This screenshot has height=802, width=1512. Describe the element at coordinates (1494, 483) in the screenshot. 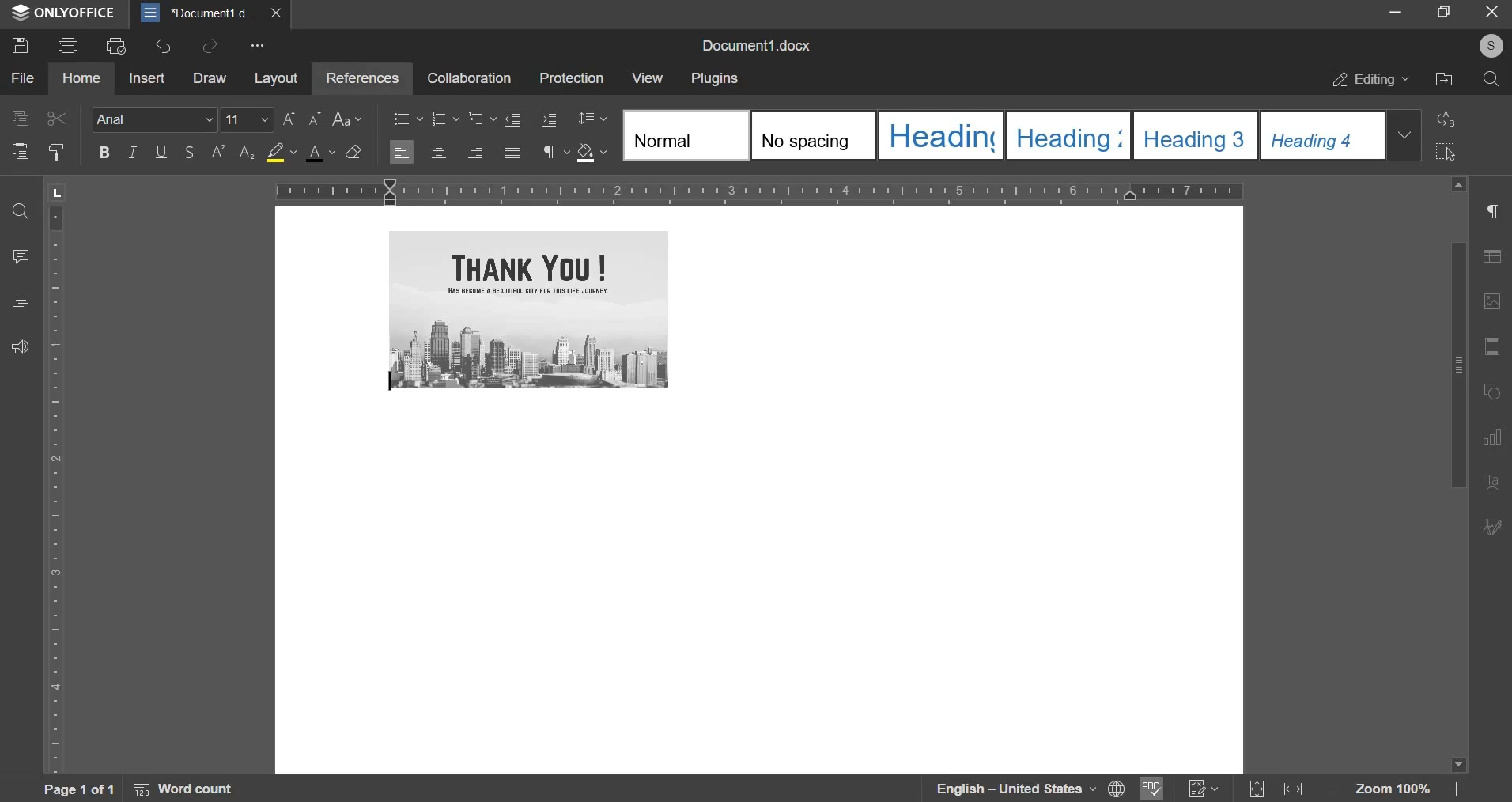

I see `Text` at that location.